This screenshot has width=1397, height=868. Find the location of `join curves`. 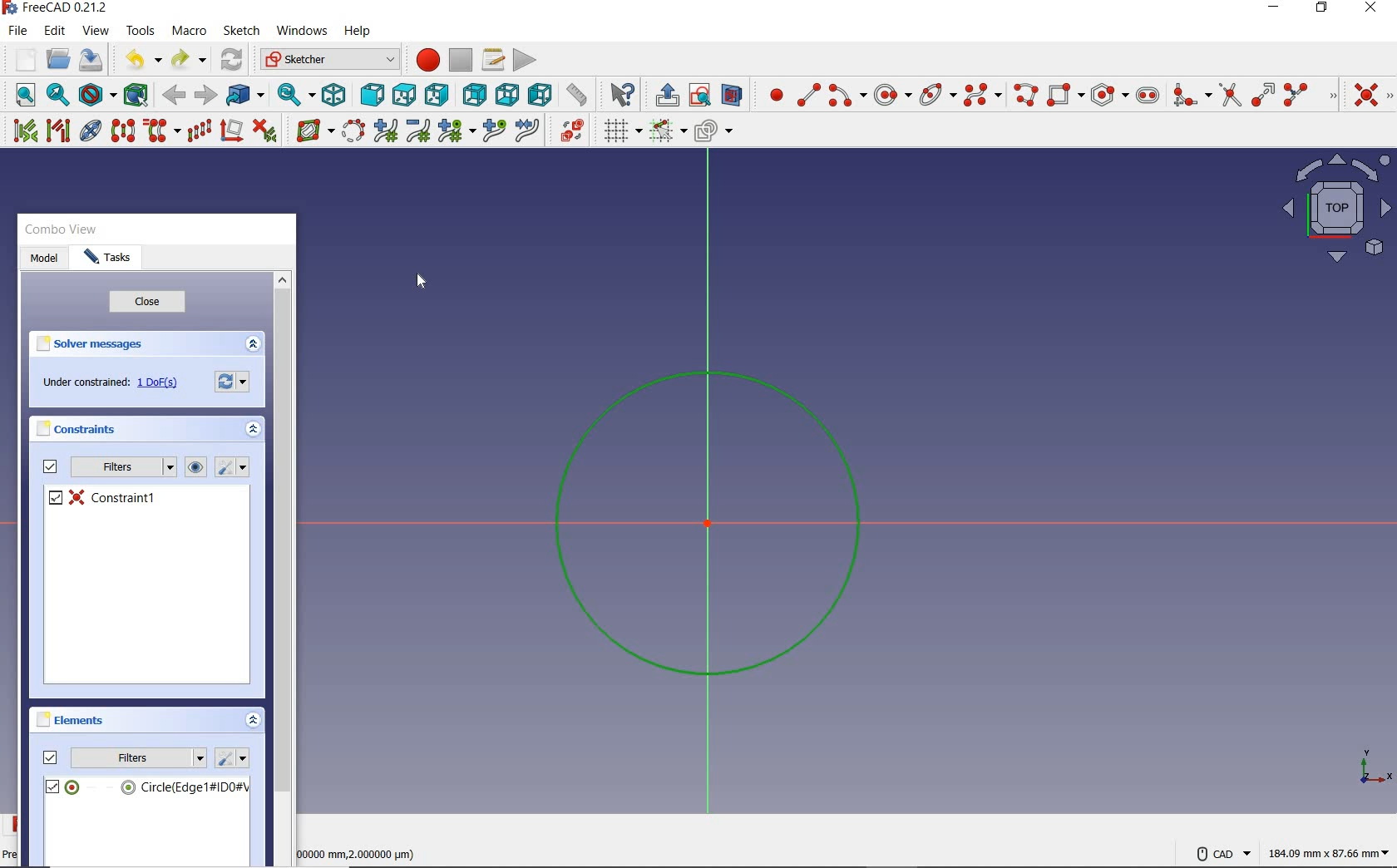

join curves is located at coordinates (526, 131).